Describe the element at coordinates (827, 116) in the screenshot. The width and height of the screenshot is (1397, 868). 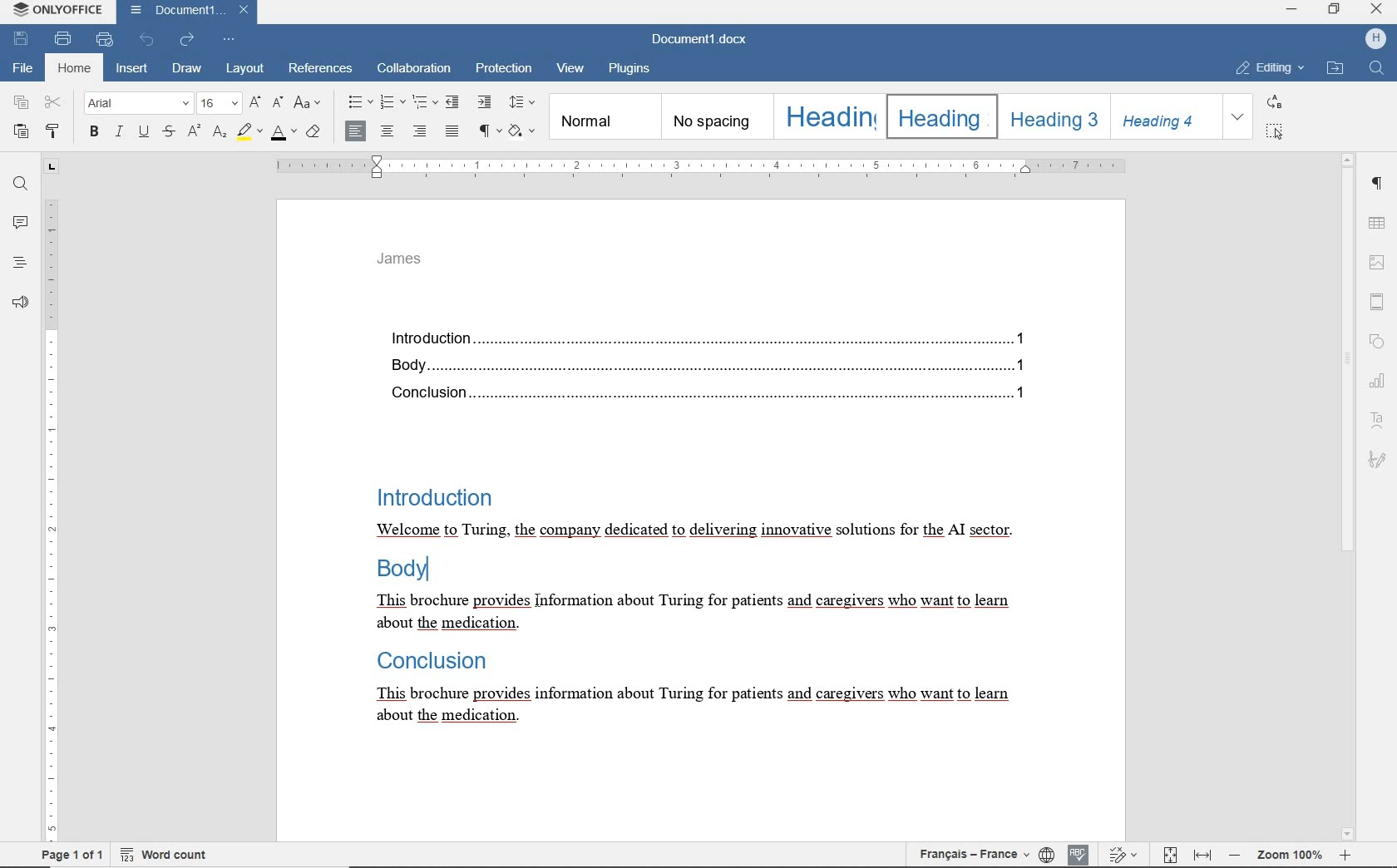
I see `HEADING 1` at that location.